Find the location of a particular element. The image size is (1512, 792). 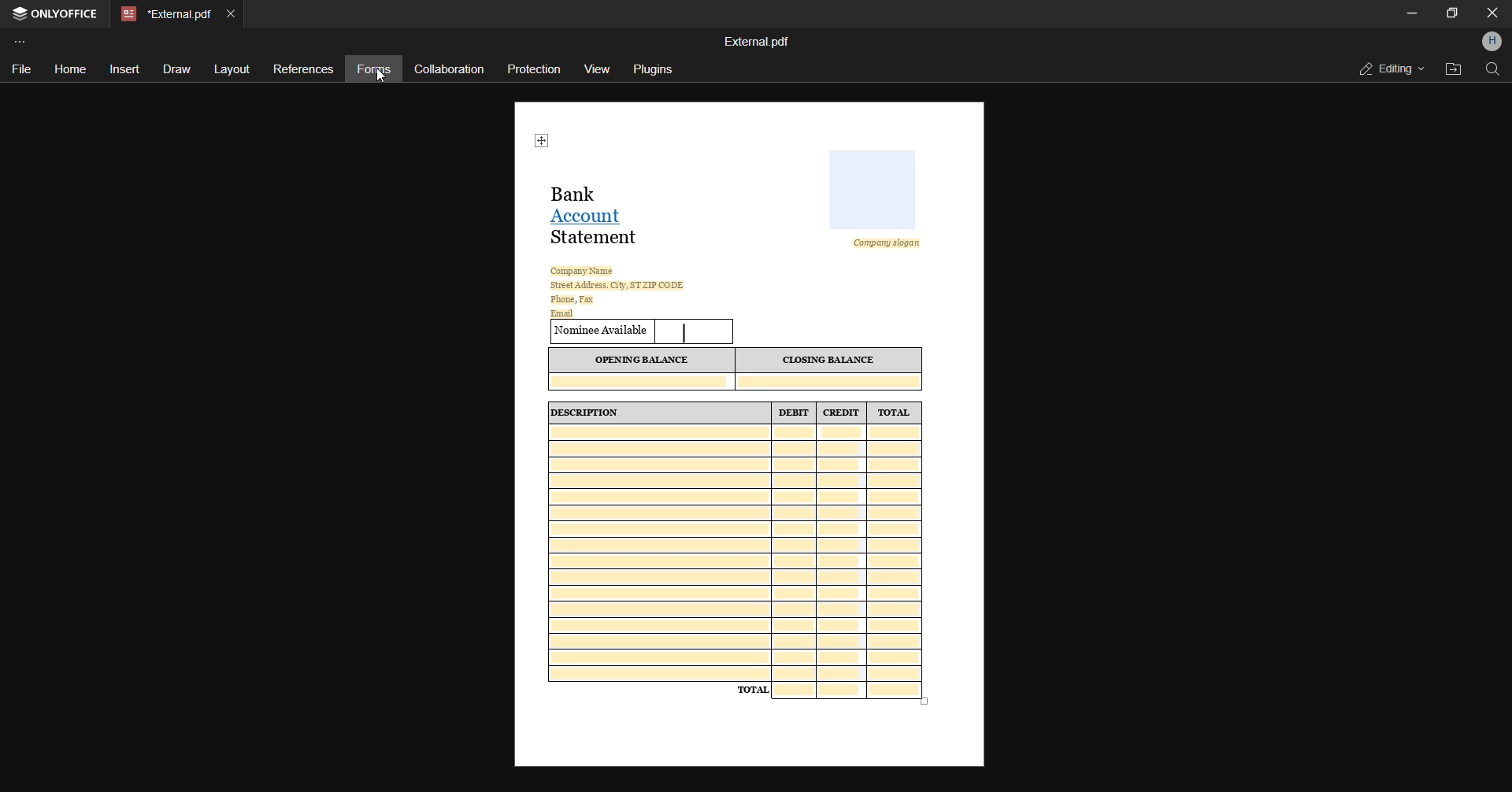

current open pdf is located at coordinates (165, 14).